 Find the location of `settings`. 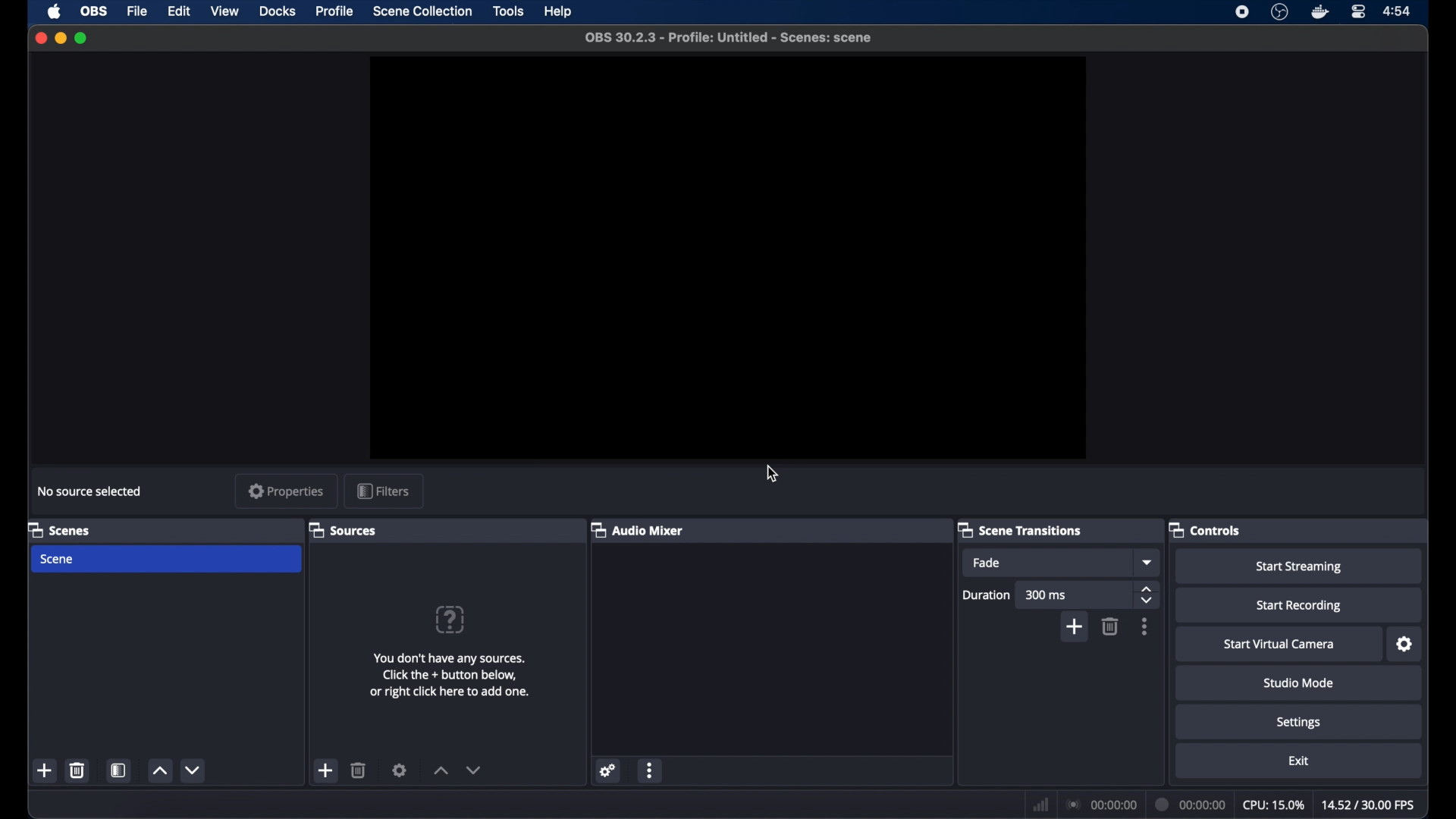

settings is located at coordinates (400, 770).